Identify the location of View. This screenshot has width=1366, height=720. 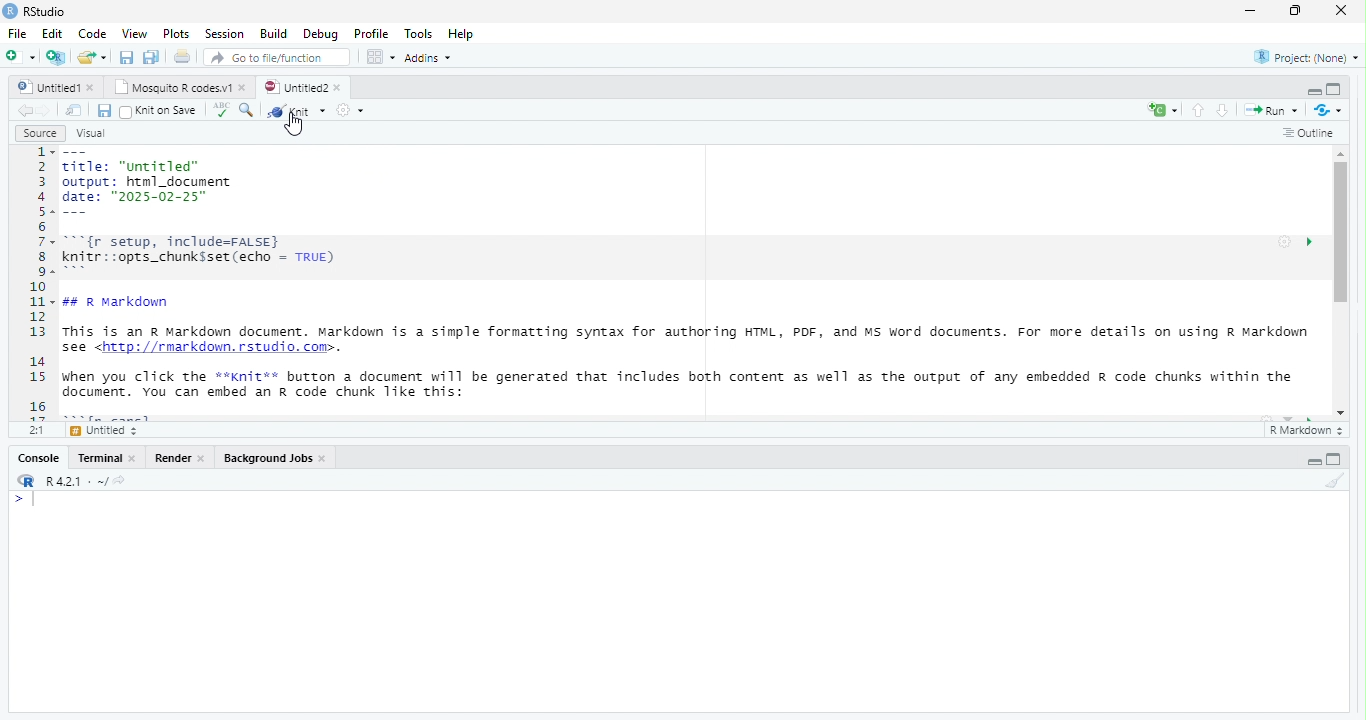
(134, 33).